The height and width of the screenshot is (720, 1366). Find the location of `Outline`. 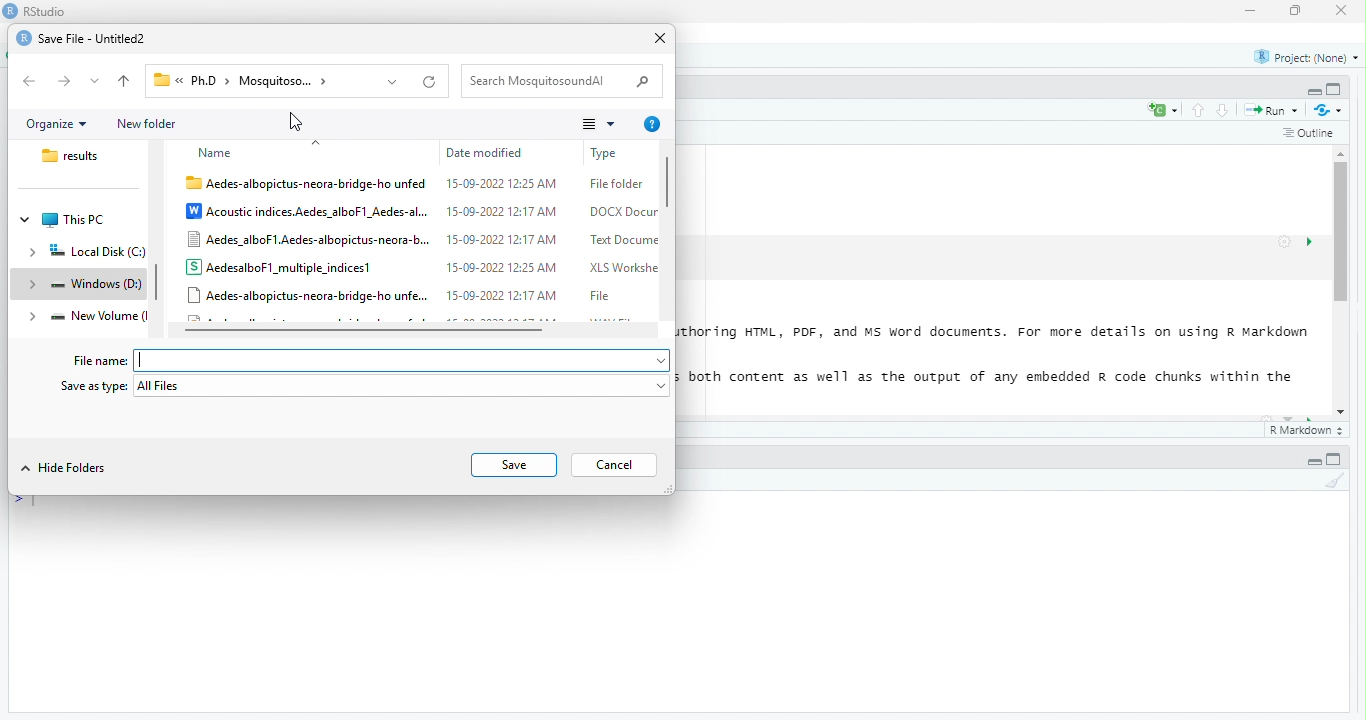

Outline is located at coordinates (1310, 134).